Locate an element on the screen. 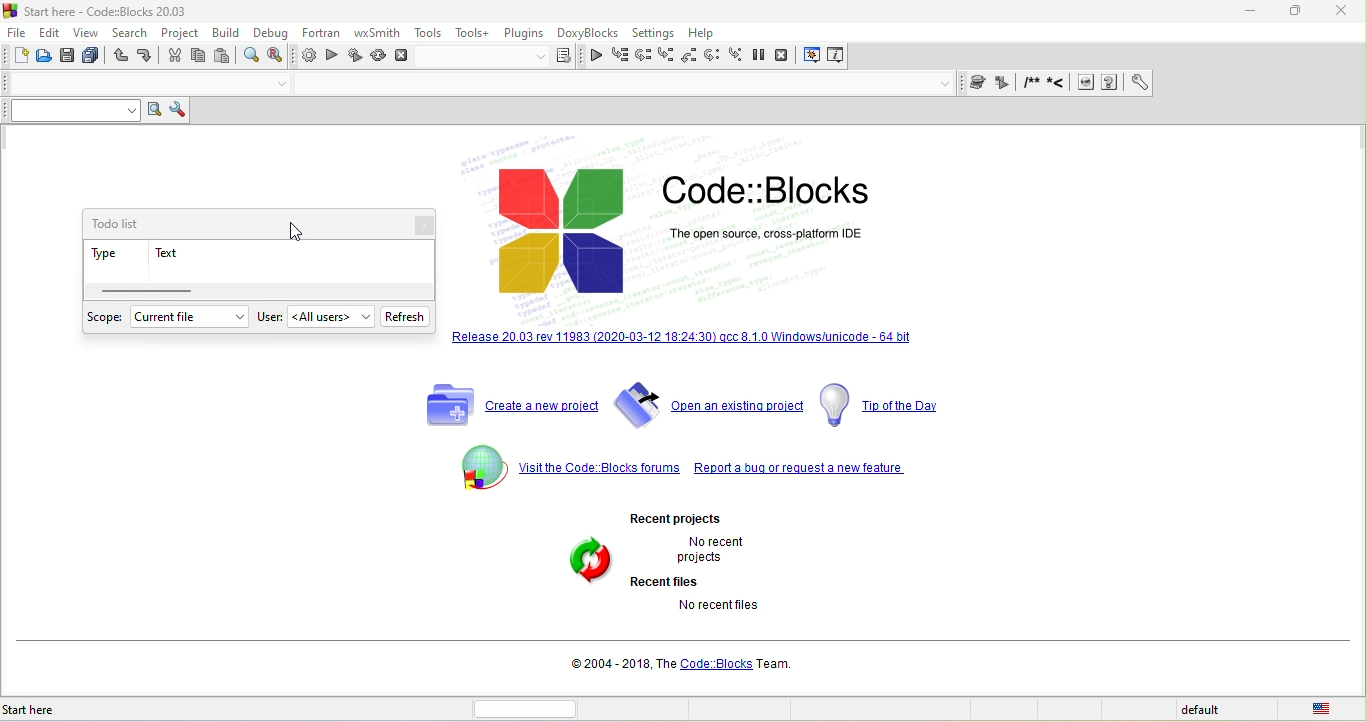 The image size is (1366, 722). replace is located at coordinates (276, 57).